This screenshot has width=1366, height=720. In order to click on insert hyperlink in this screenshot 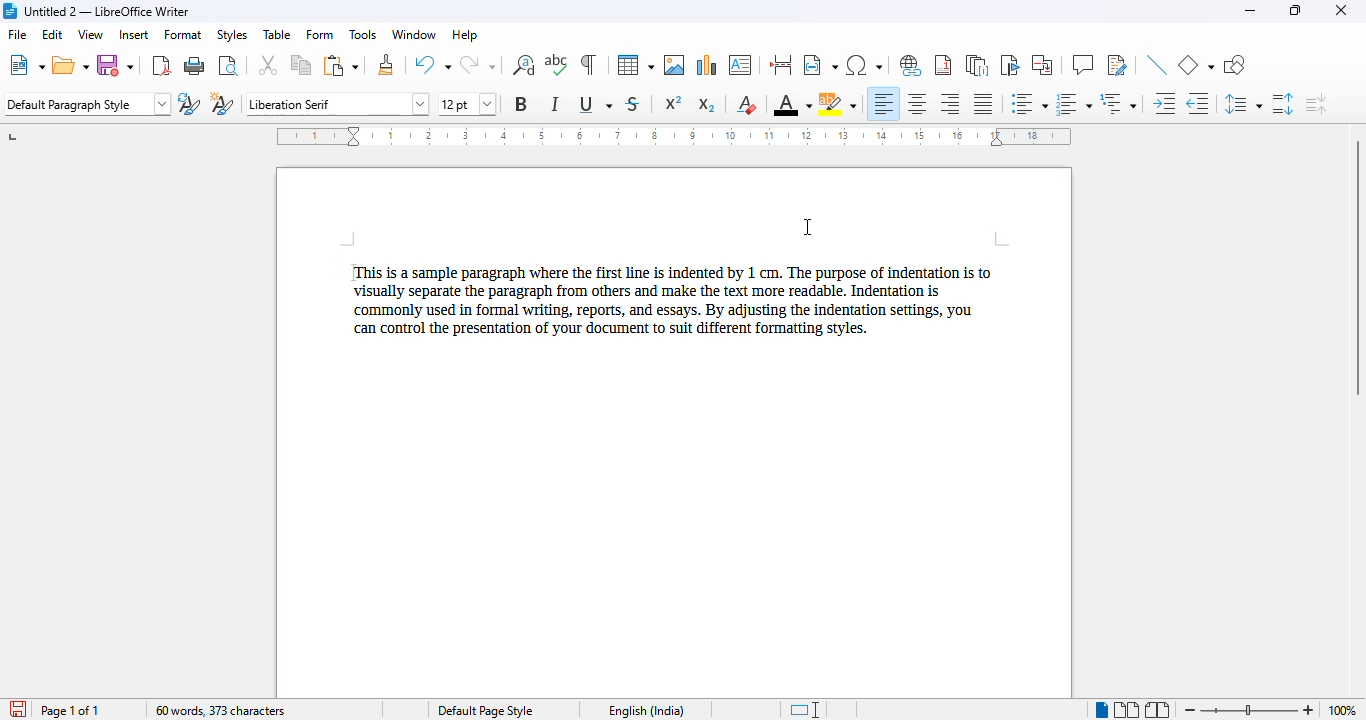, I will do `click(911, 65)`.